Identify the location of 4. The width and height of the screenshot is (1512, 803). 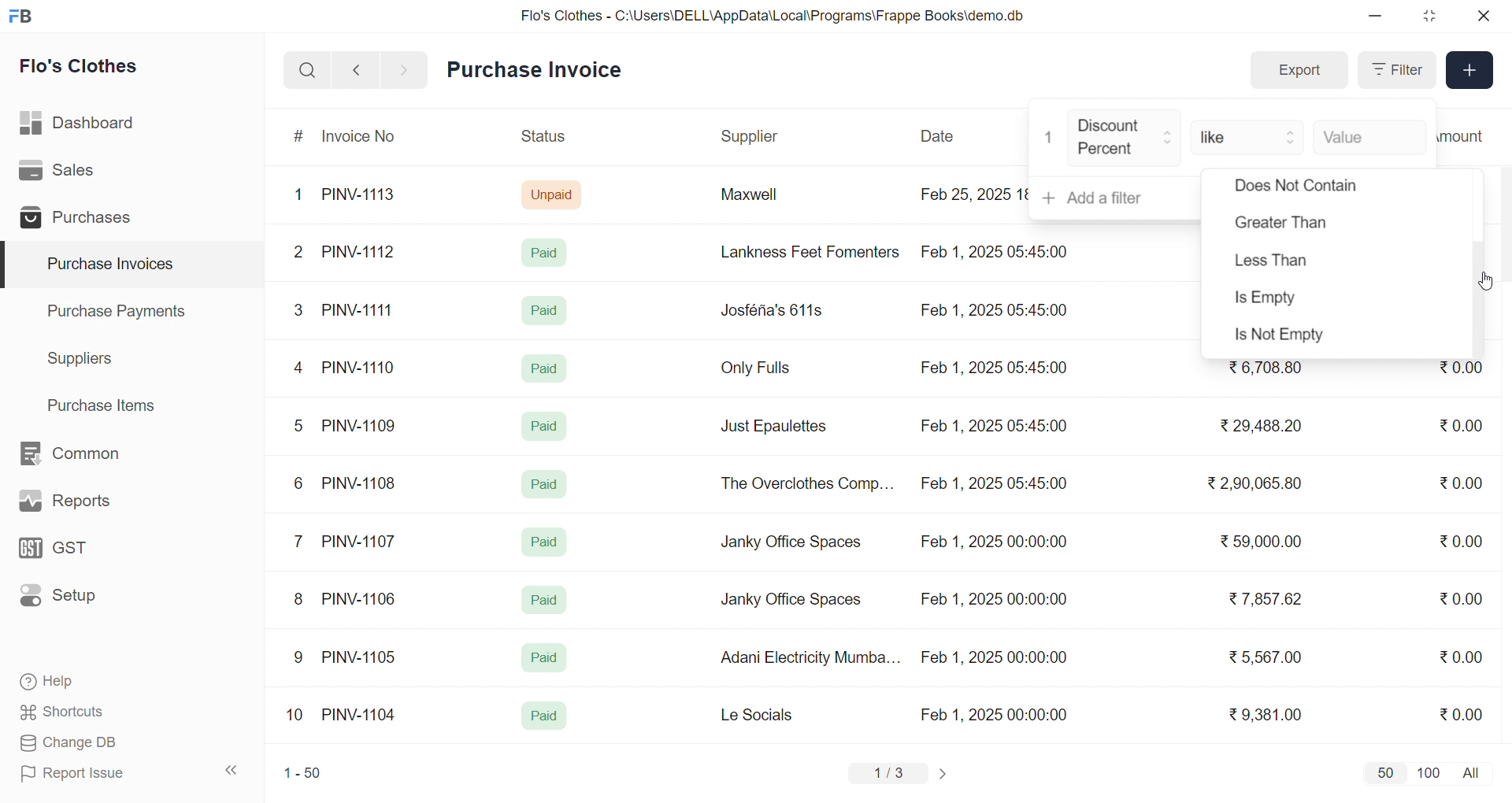
(302, 368).